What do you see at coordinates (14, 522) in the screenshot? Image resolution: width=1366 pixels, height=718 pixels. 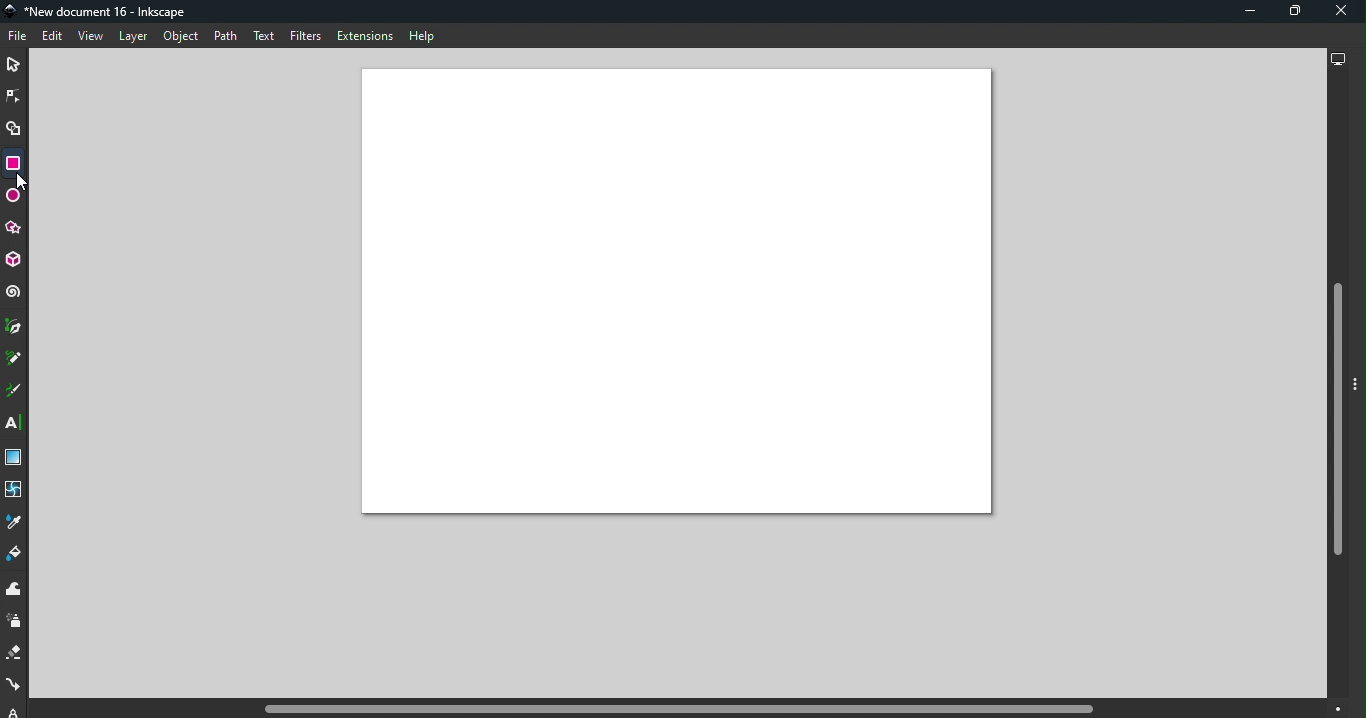 I see `Dropper tool` at bounding box center [14, 522].